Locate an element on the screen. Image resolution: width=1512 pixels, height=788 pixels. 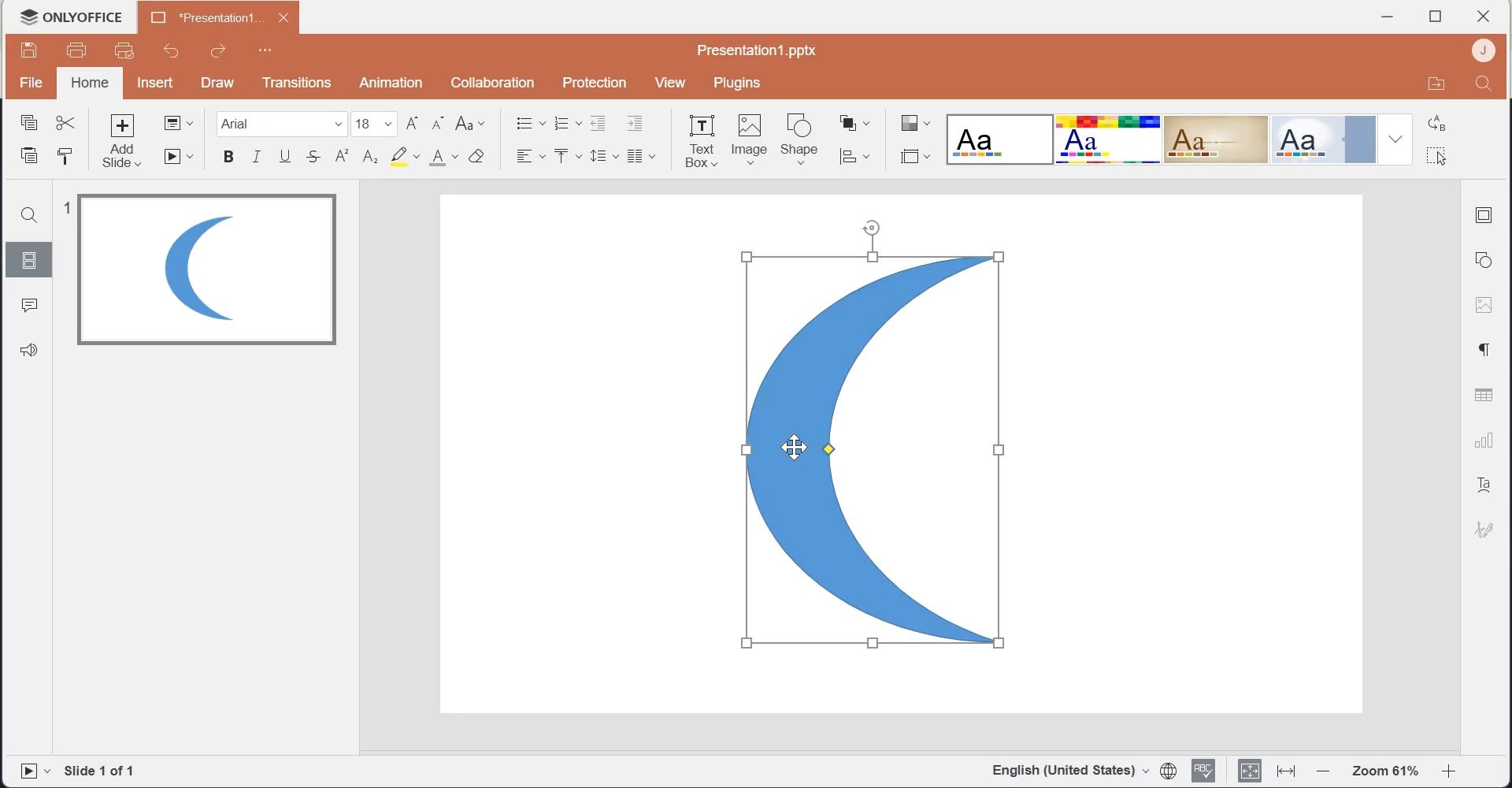
Signature is located at coordinates (1484, 528).